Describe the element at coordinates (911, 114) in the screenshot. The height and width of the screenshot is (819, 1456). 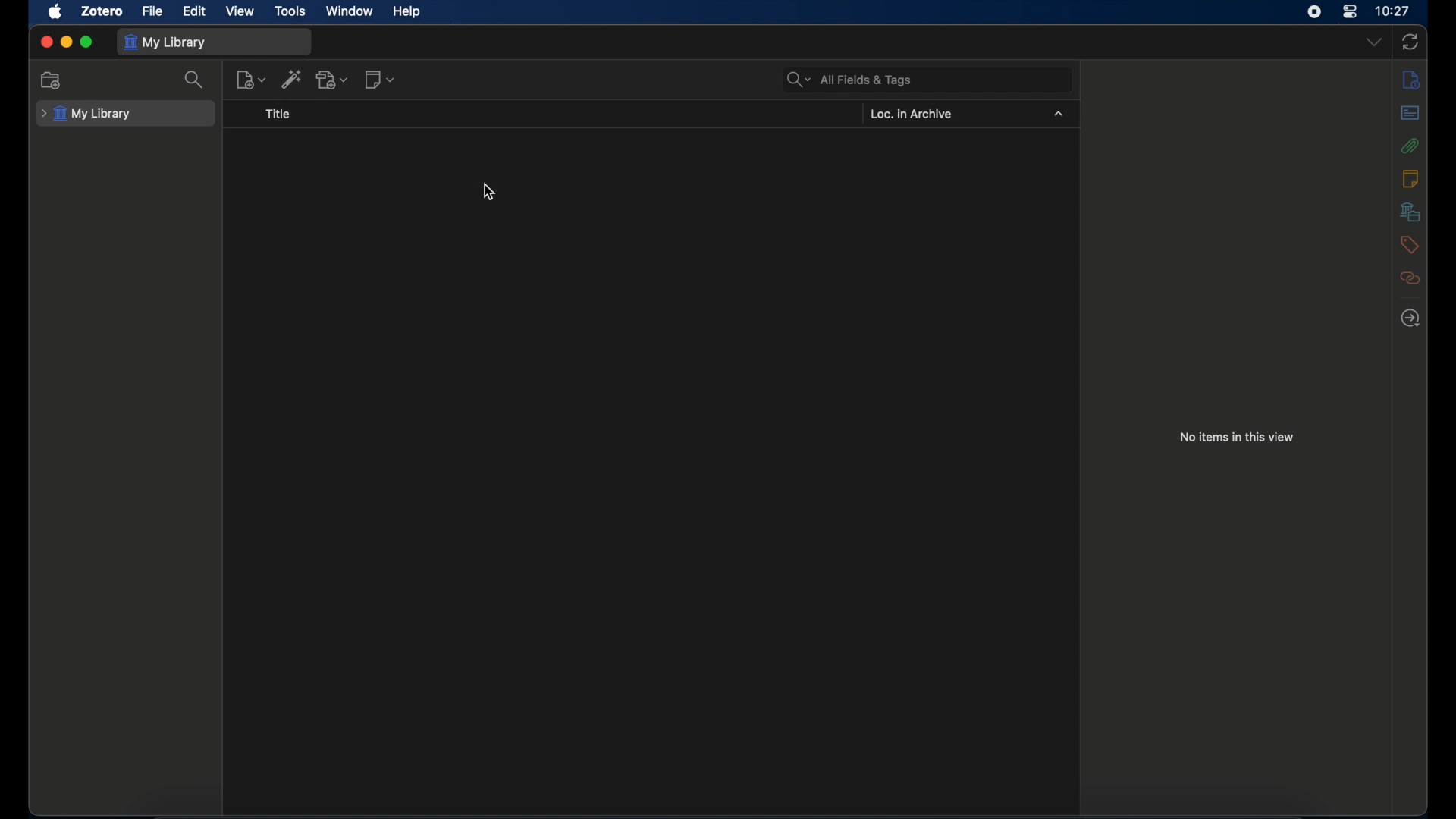
I see `loc. in archive` at that location.